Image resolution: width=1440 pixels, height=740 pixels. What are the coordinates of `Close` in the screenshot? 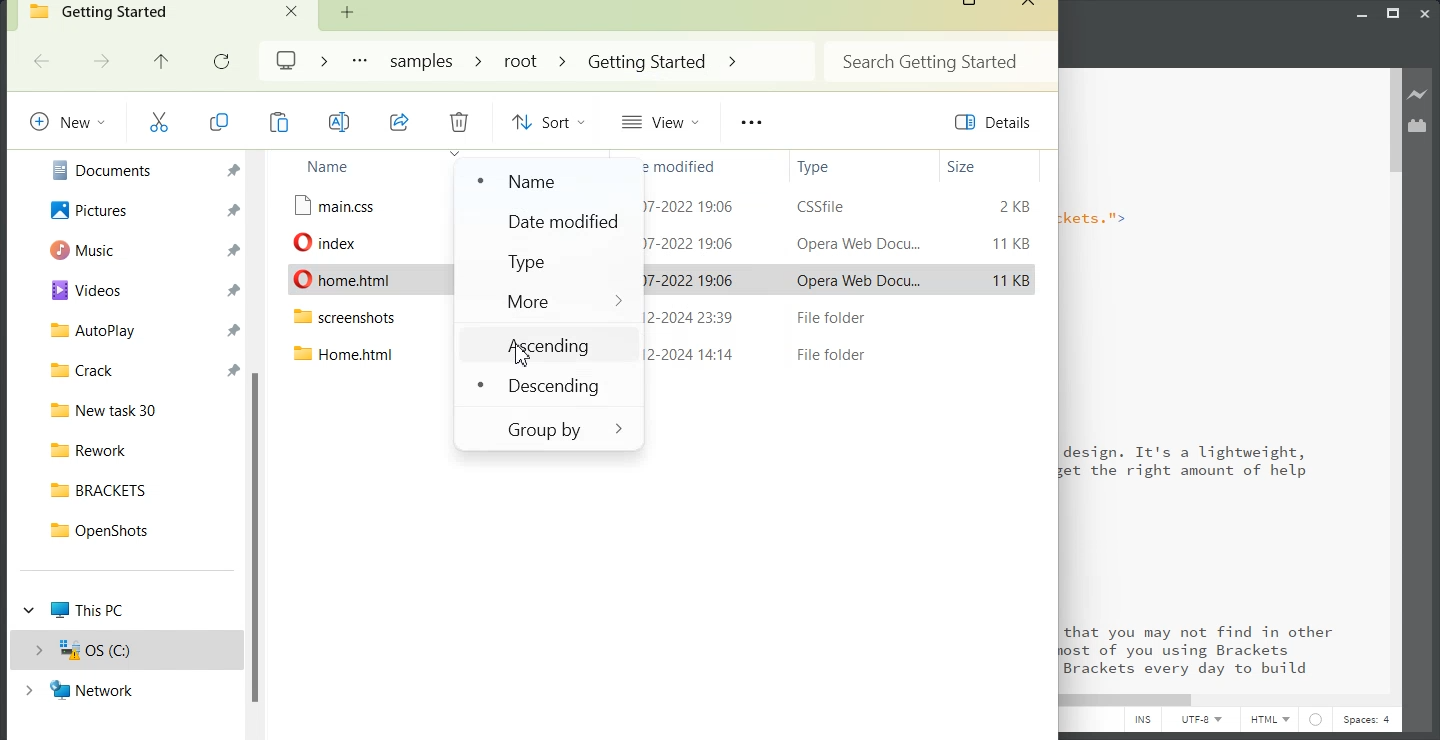 It's located at (1027, 5).